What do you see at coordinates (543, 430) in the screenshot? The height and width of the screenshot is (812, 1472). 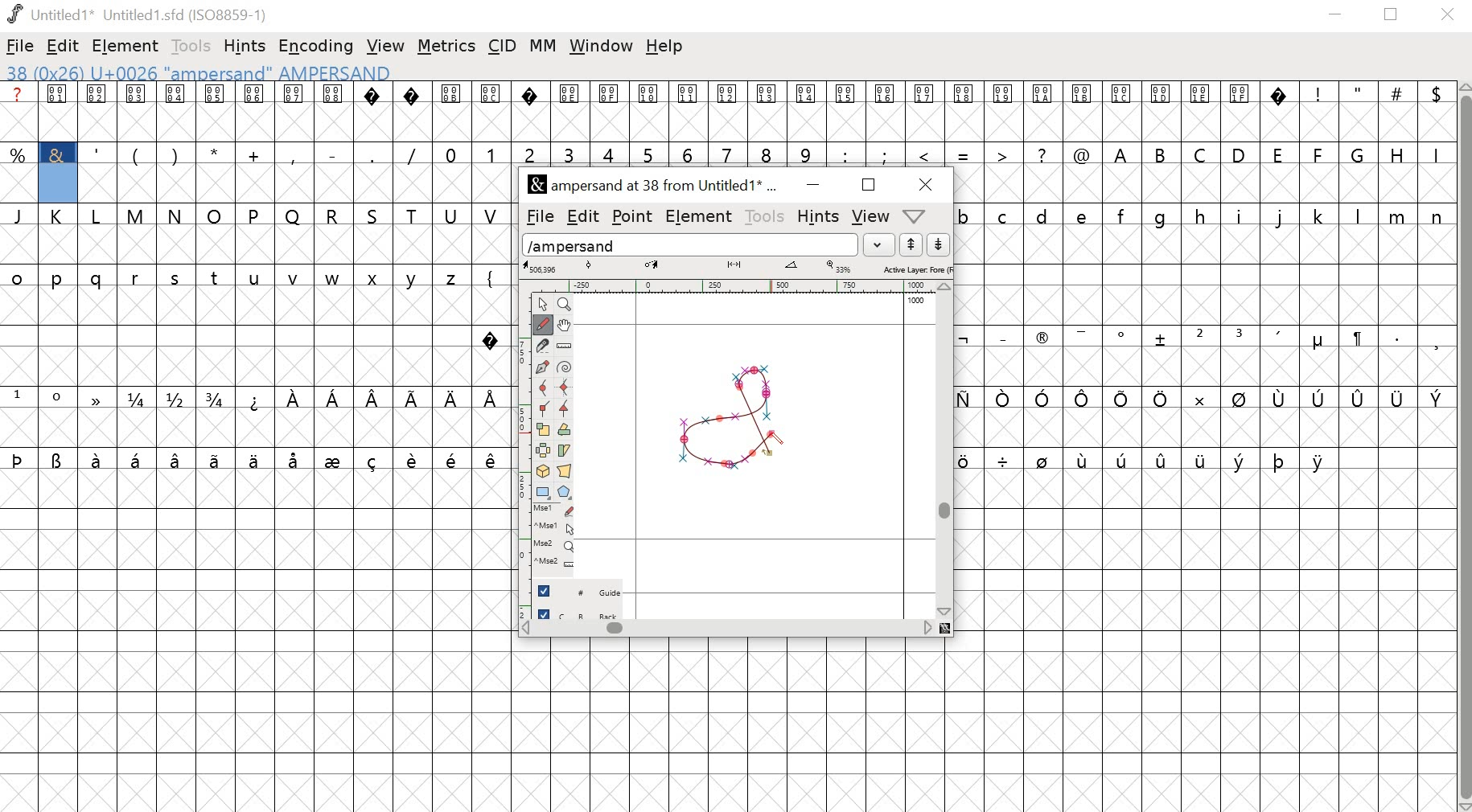 I see `scale the selection` at bounding box center [543, 430].